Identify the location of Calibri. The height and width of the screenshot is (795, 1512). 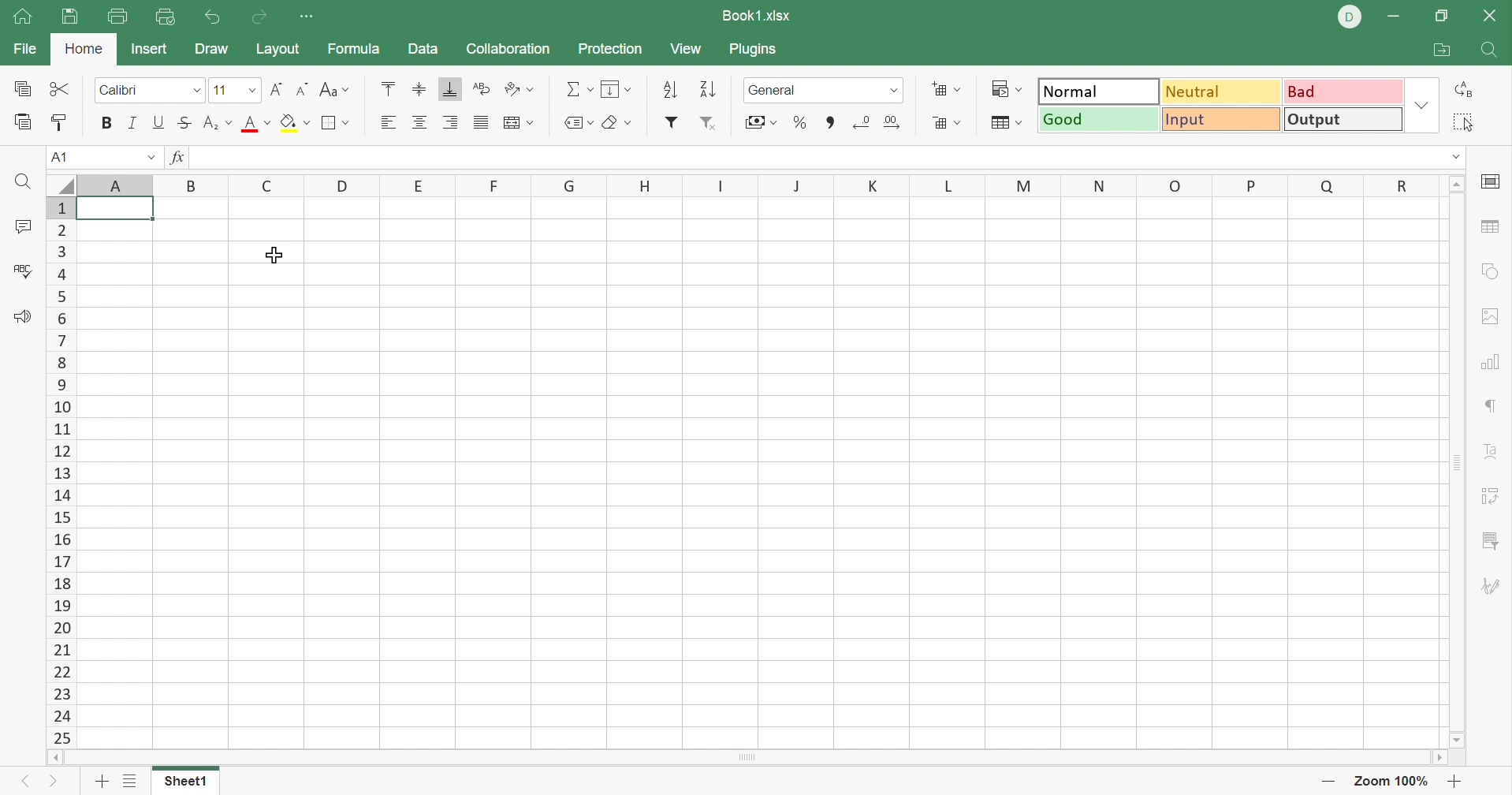
(122, 89).